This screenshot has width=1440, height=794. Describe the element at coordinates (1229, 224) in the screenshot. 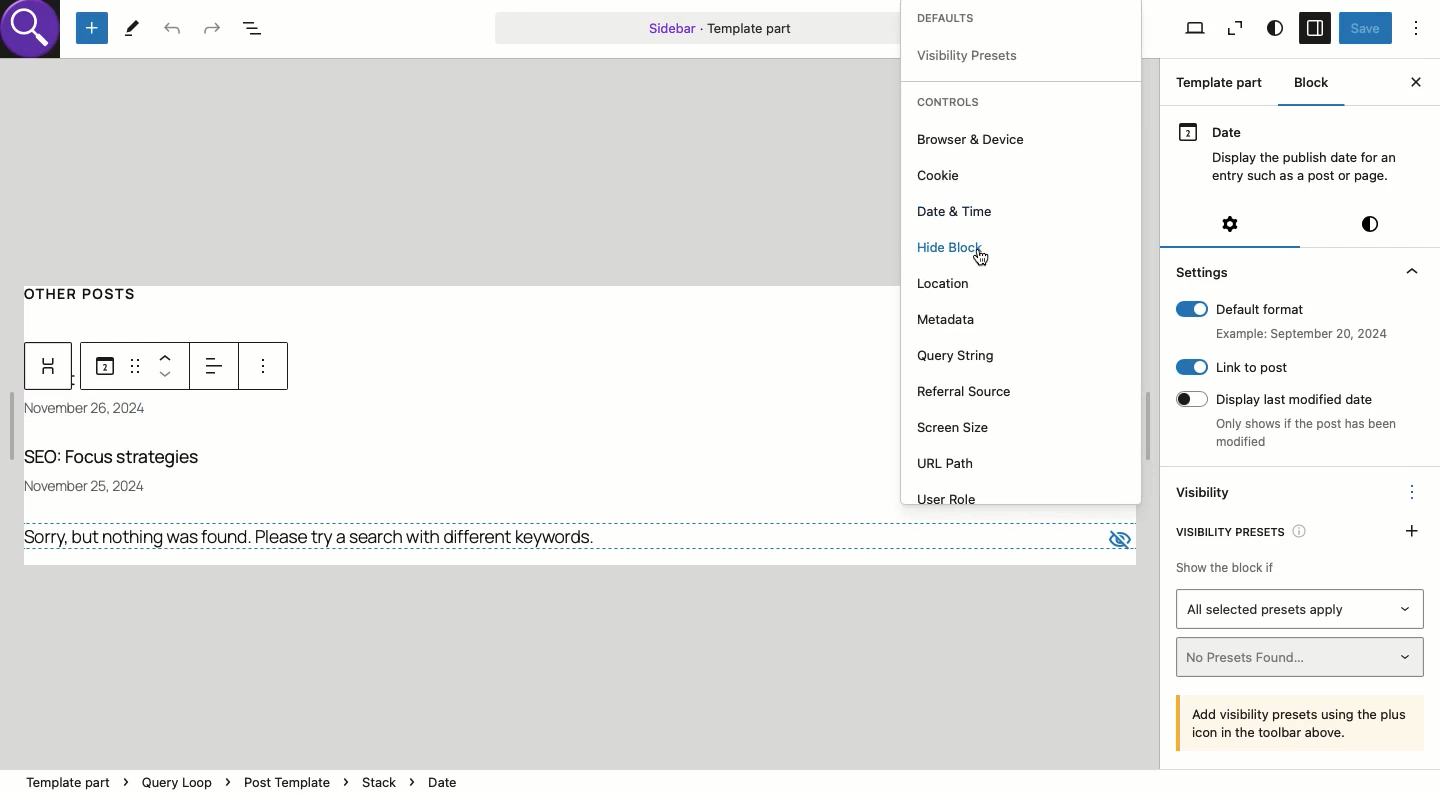

I see `Settings` at that location.